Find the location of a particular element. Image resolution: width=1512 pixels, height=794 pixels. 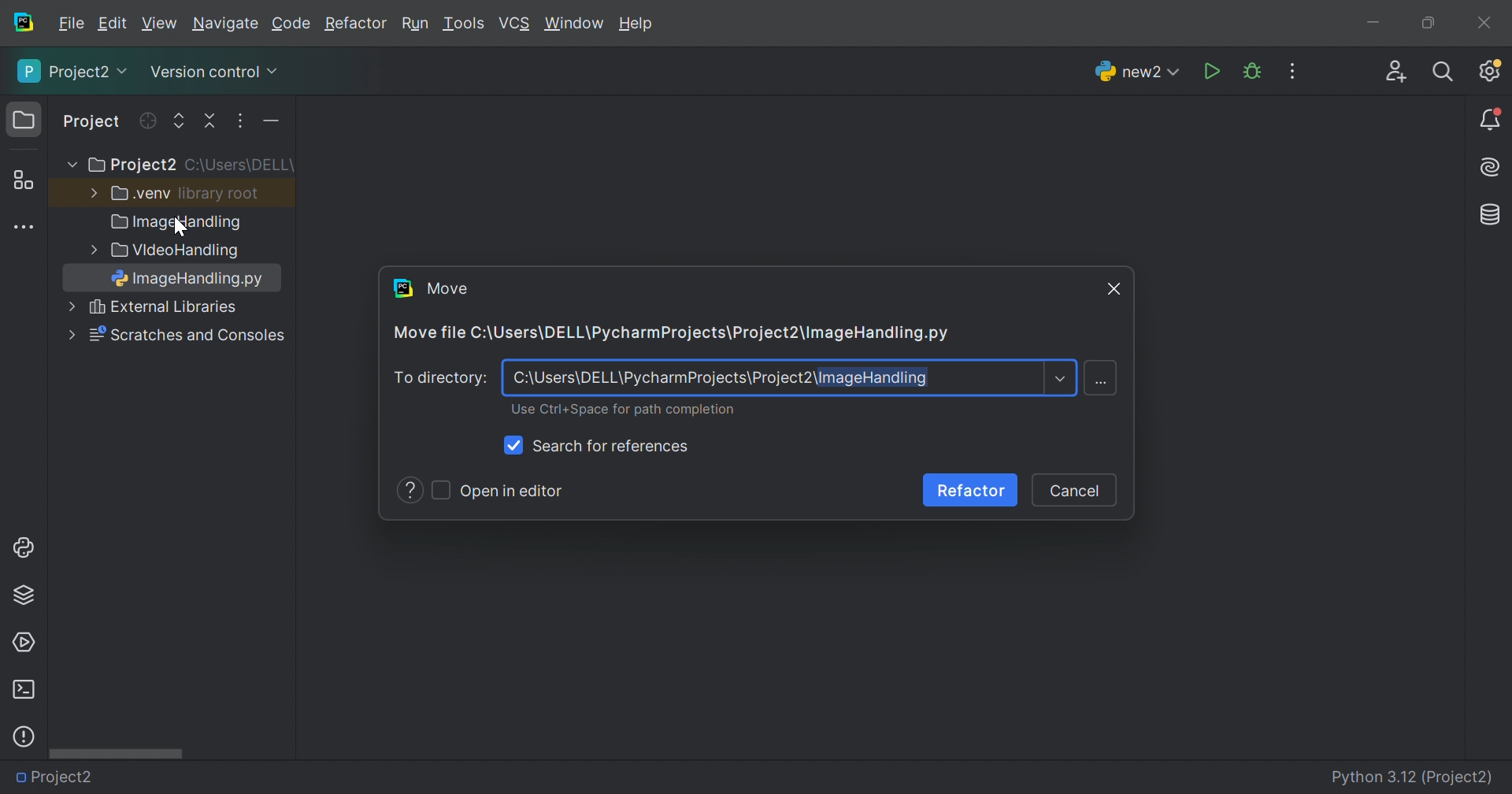

Project is located at coordinates (93, 123).